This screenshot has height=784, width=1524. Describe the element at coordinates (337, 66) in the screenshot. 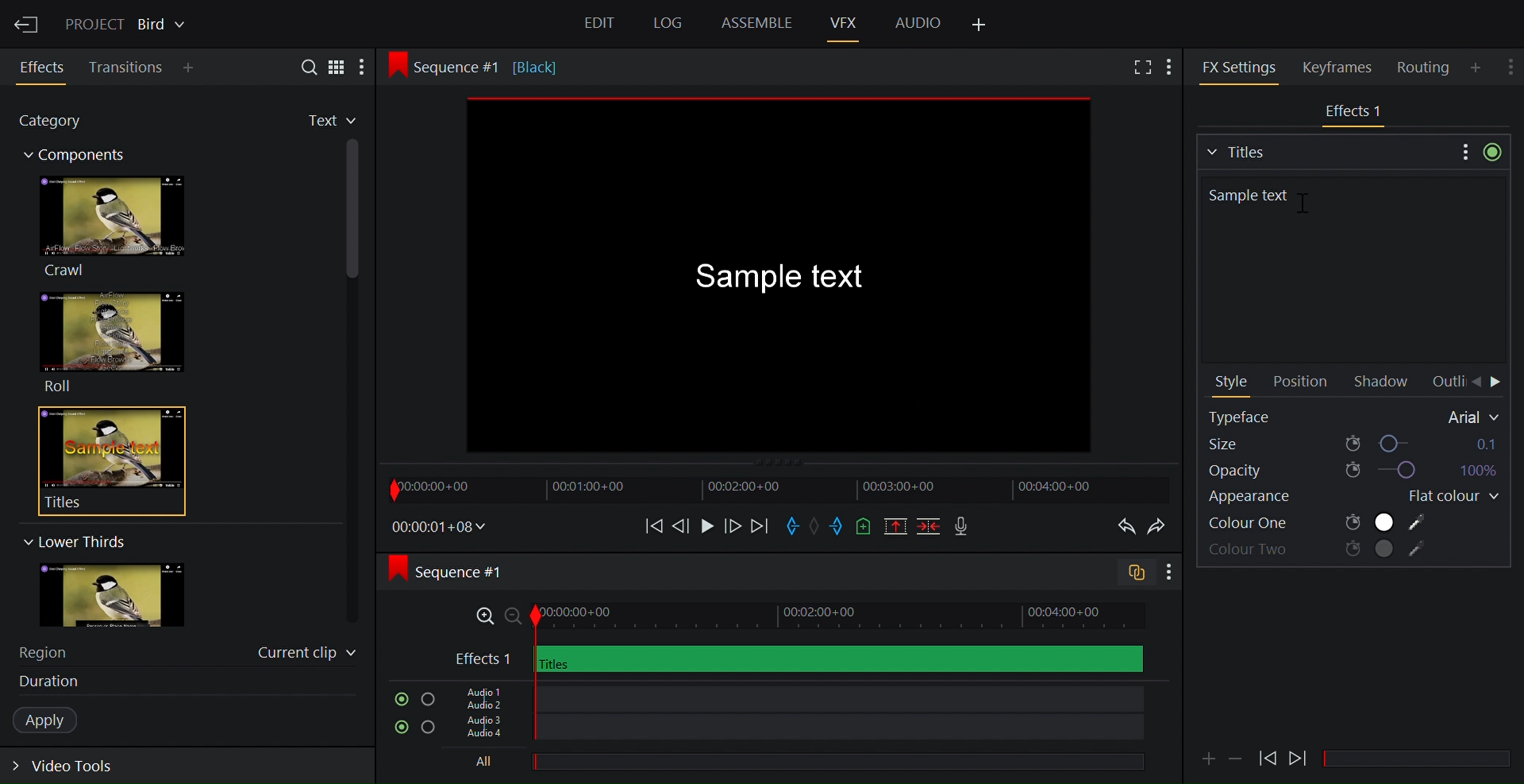

I see `Toggle between list and tile view` at that location.